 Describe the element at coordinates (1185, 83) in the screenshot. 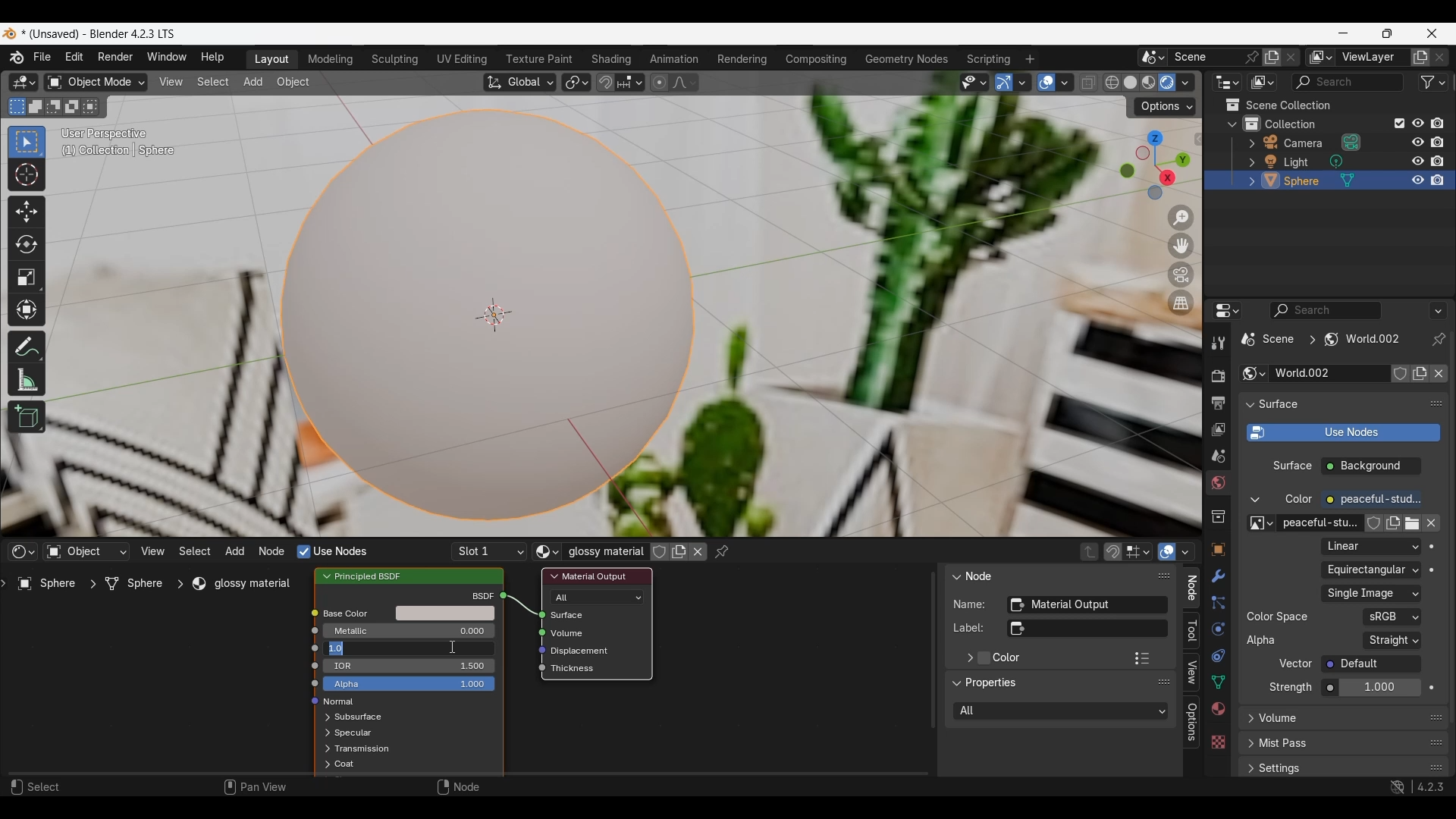

I see `Viewport shading options` at that location.